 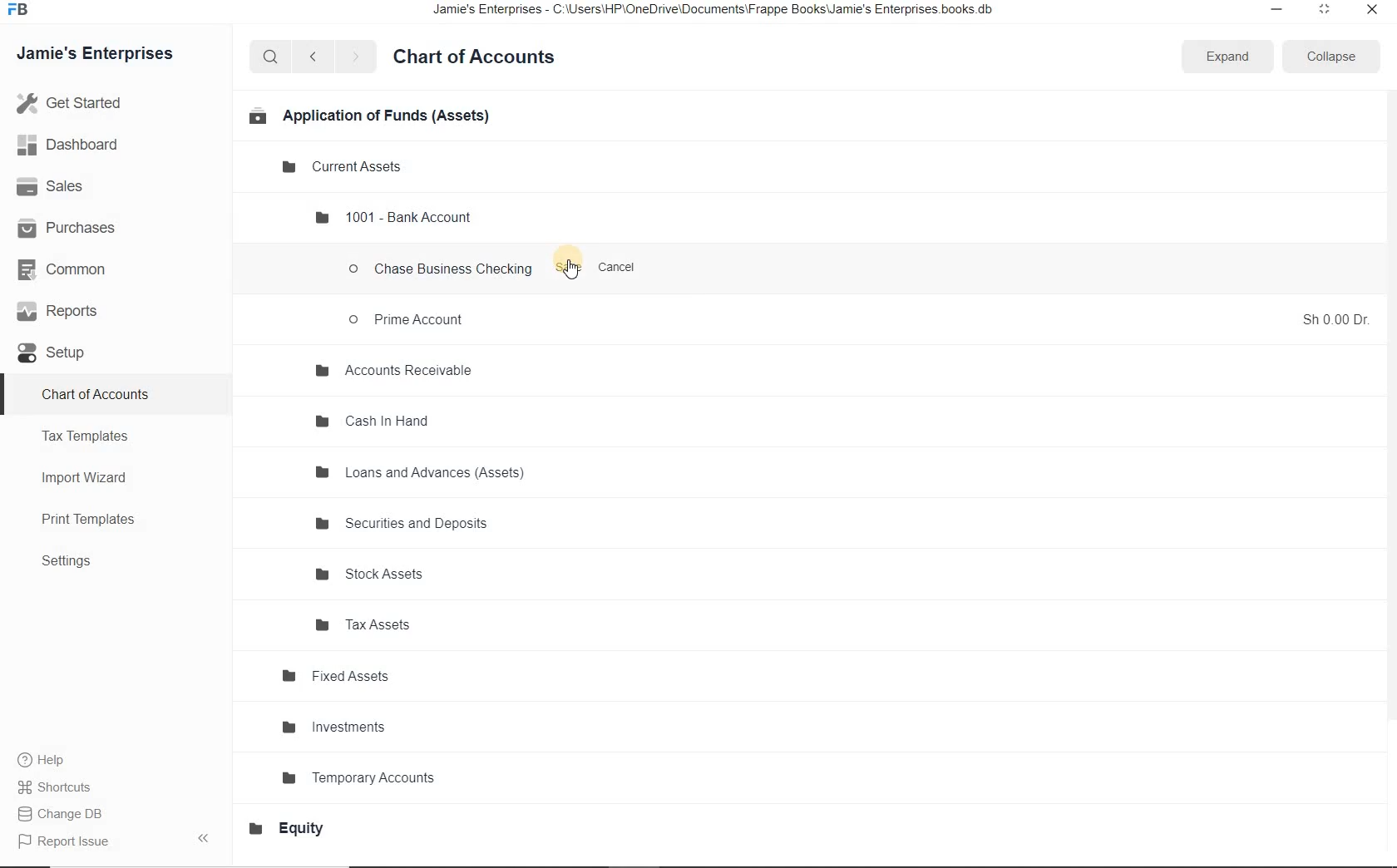 What do you see at coordinates (375, 422) in the screenshot?
I see `Cash In Hand` at bounding box center [375, 422].